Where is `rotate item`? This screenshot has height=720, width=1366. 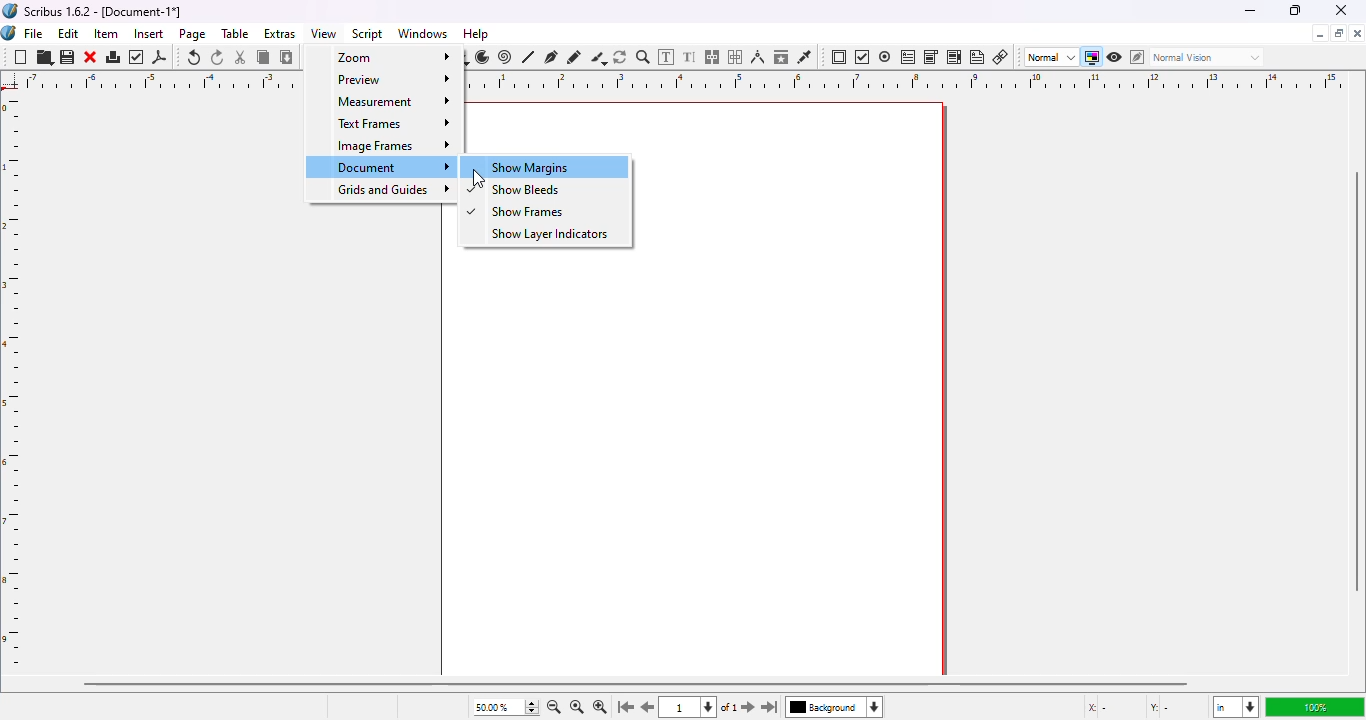
rotate item is located at coordinates (621, 57).